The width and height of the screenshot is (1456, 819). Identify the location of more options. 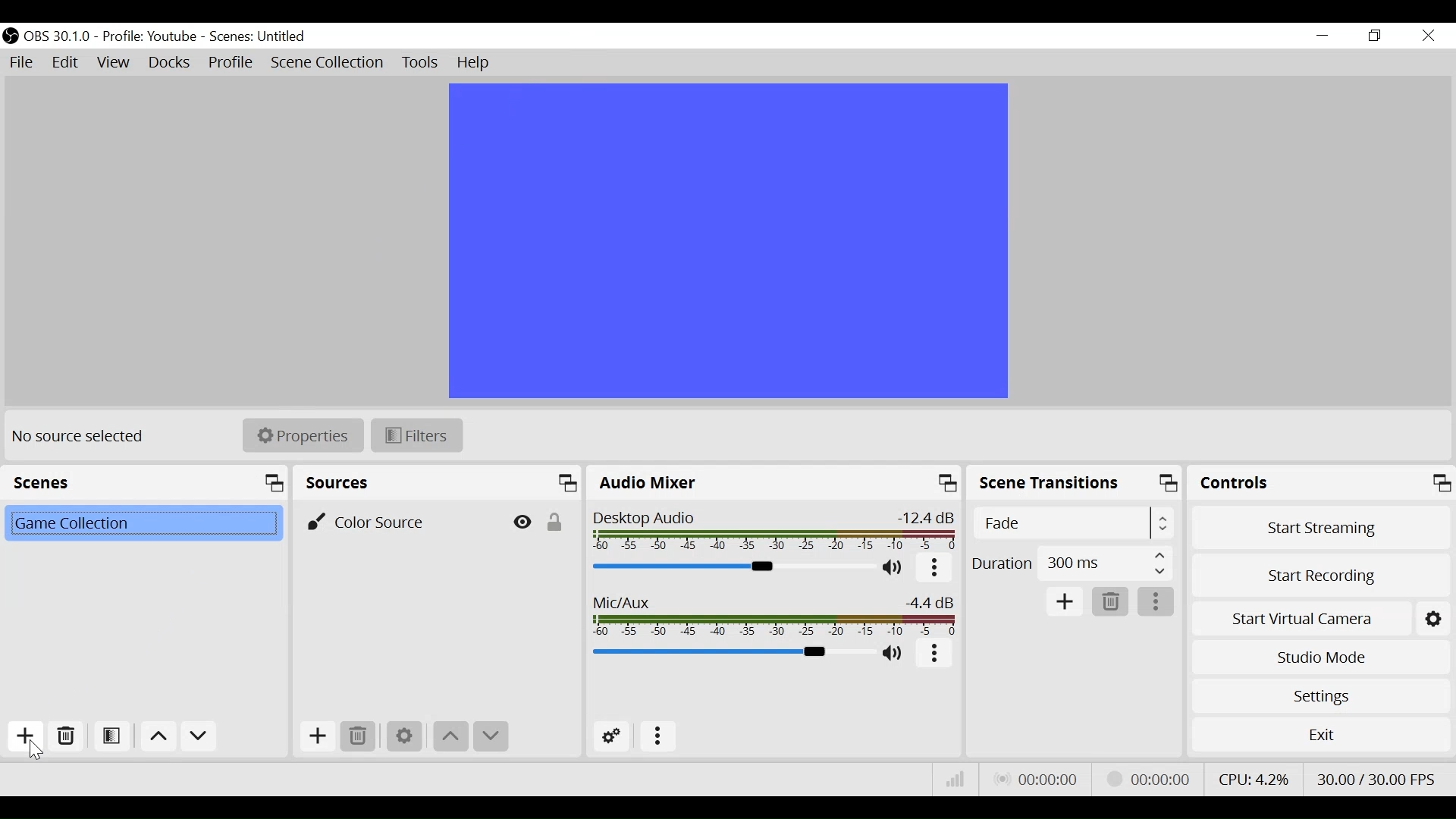
(659, 736).